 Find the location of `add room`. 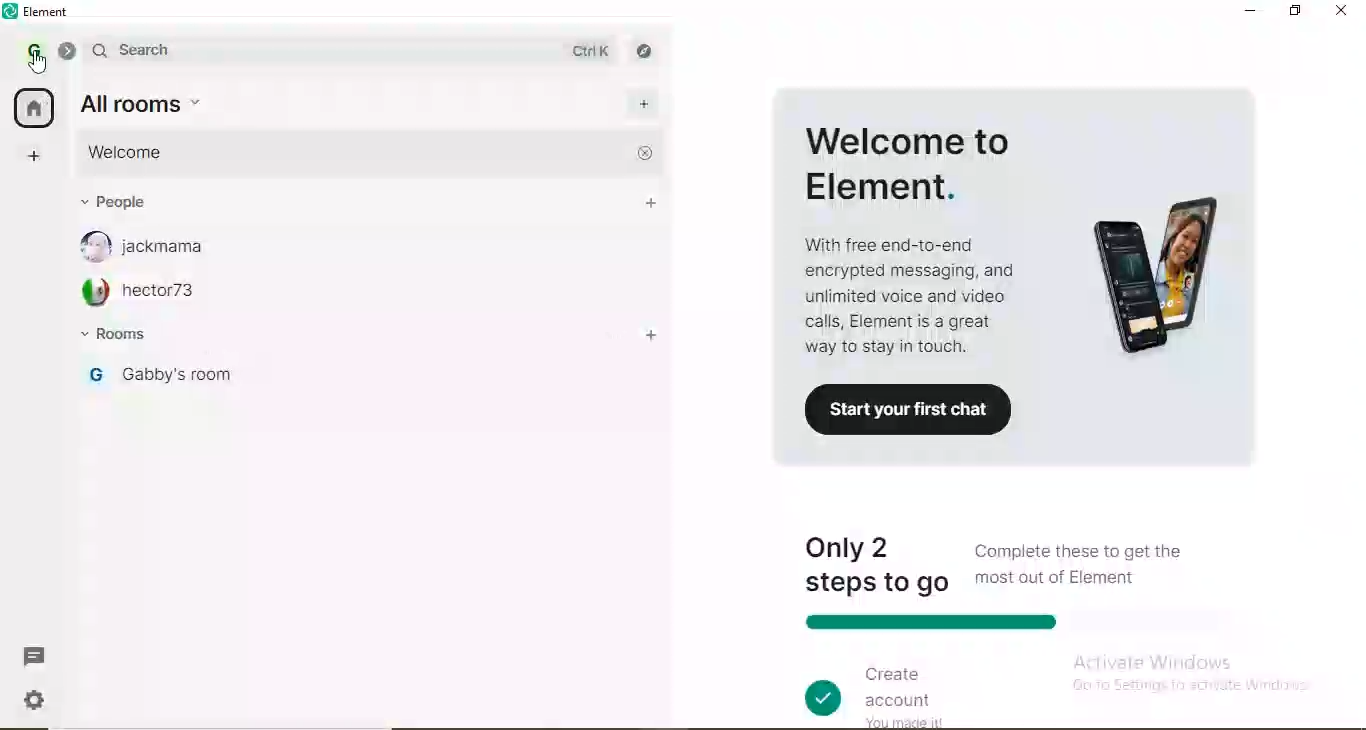

add room is located at coordinates (653, 336).